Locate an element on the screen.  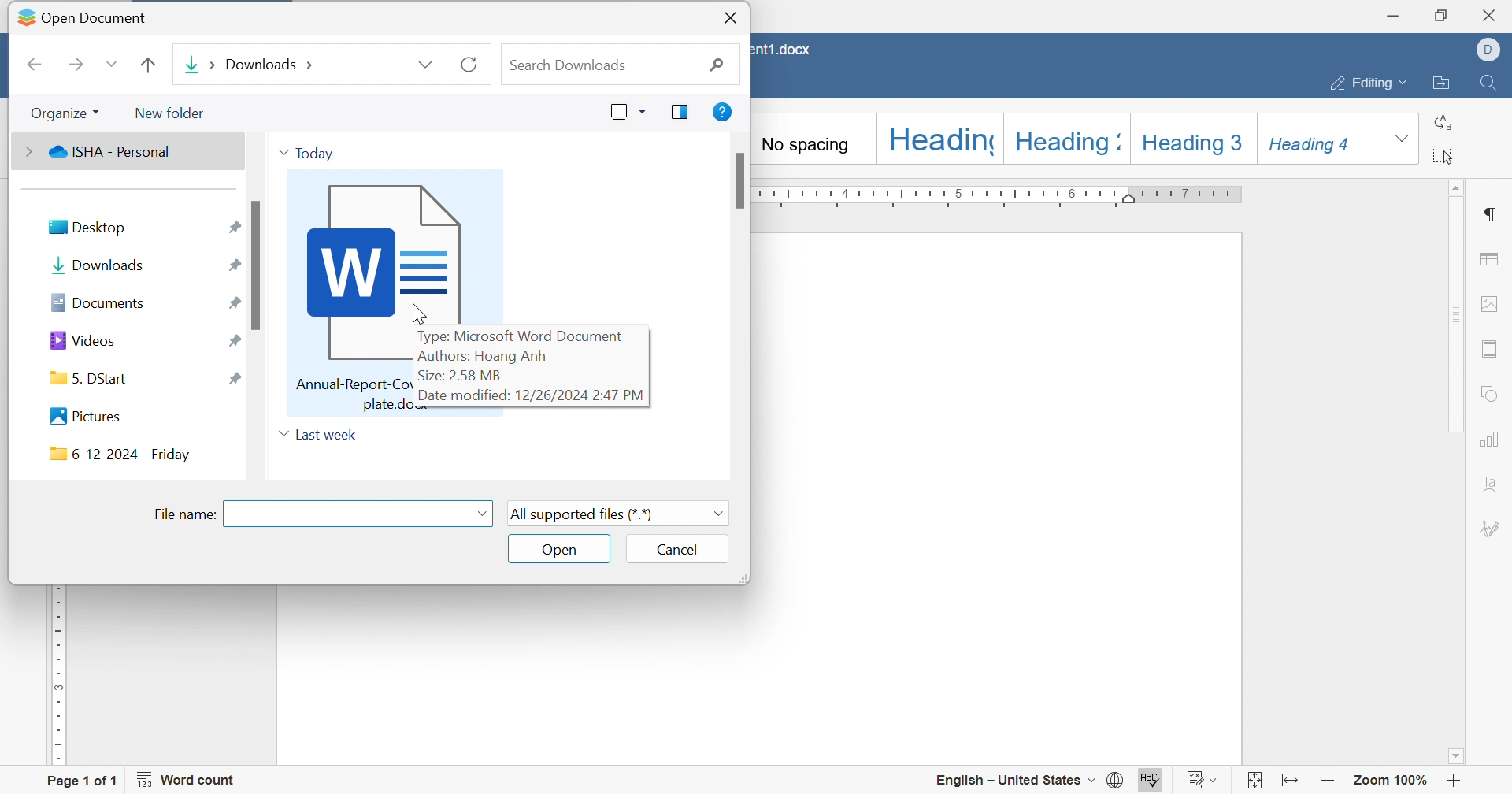
signature settings is located at coordinates (1492, 529).